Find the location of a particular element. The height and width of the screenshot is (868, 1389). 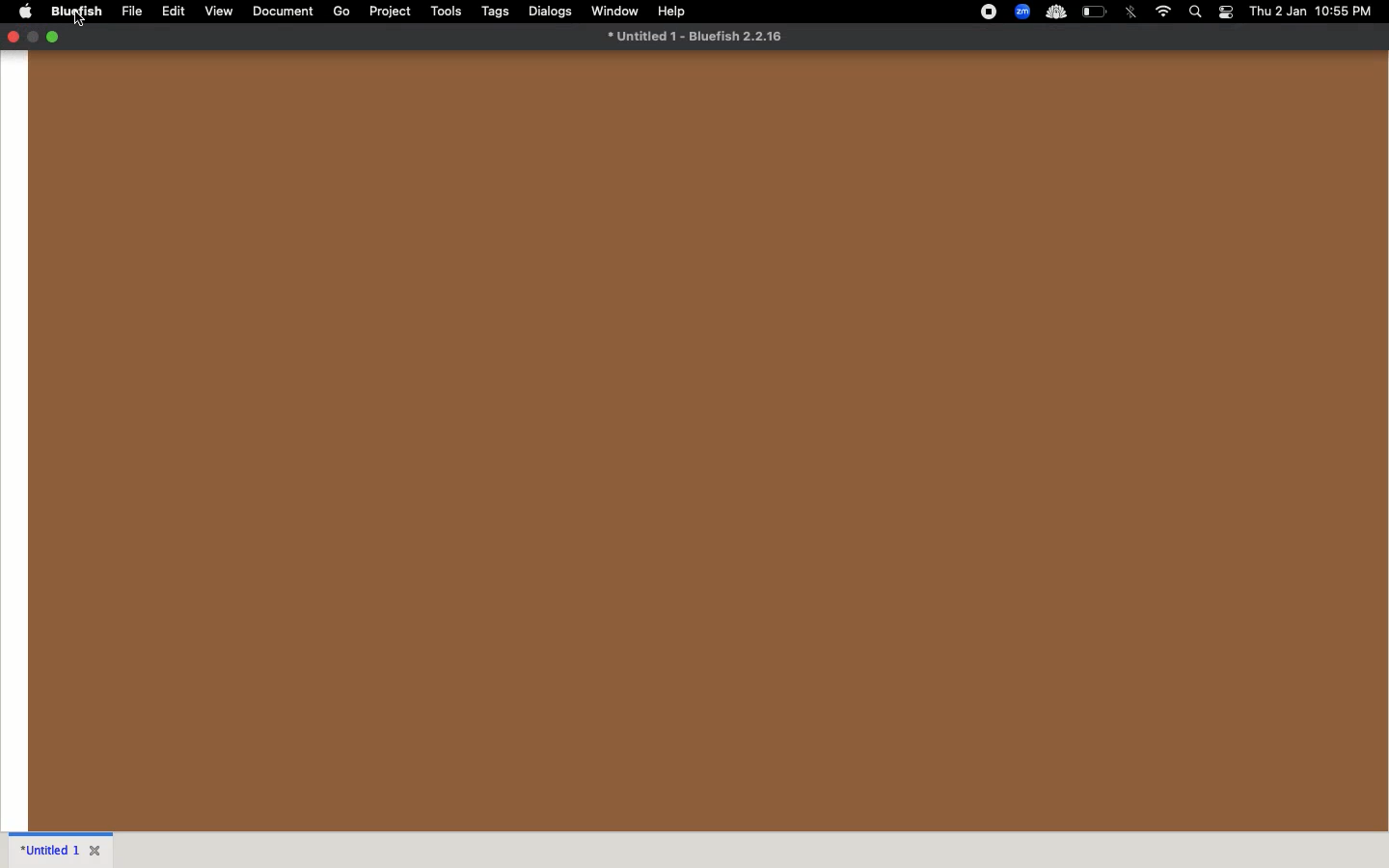

untitled is located at coordinates (47, 848).